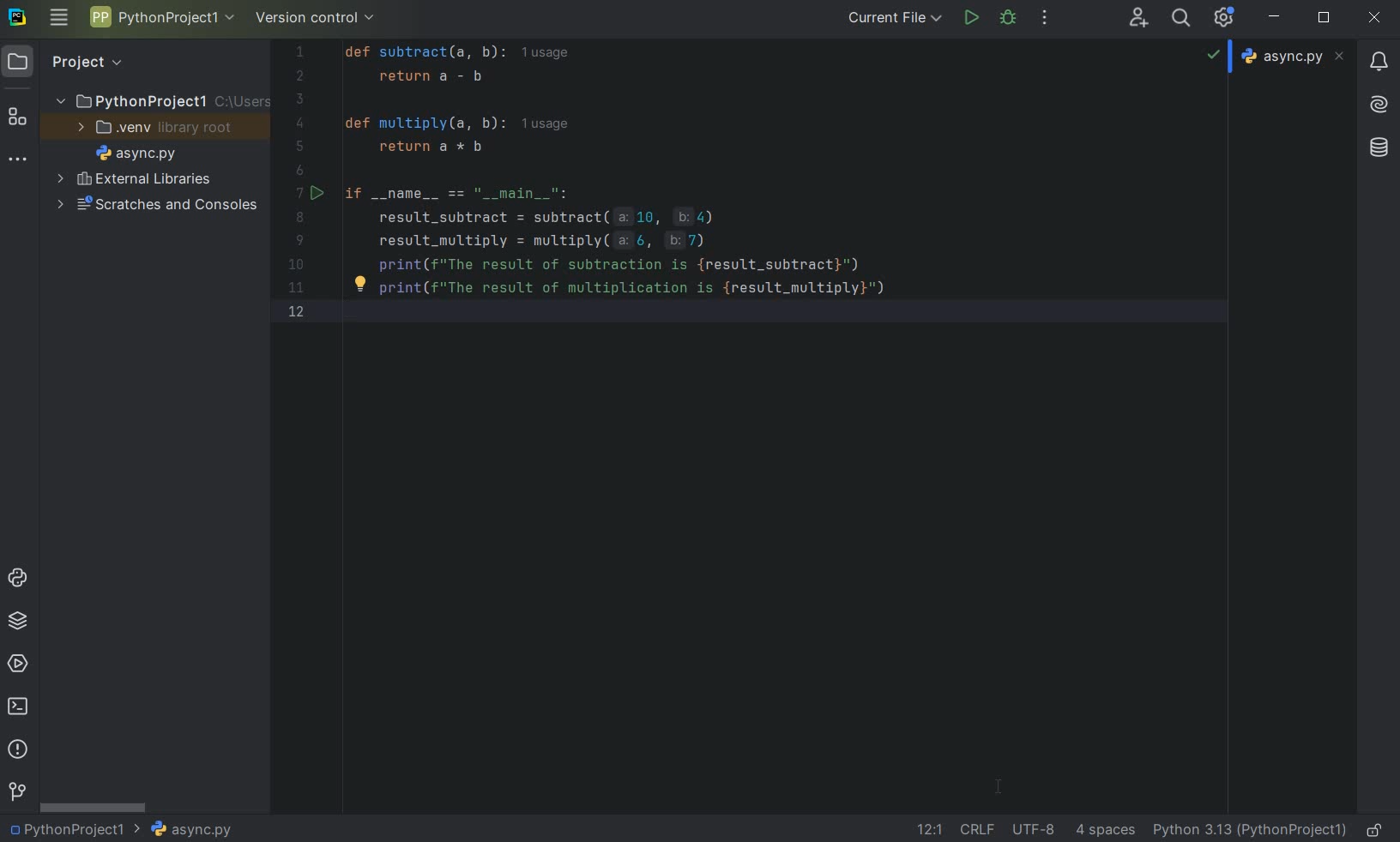  What do you see at coordinates (18, 120) in the screenshot?
I see `structure` at bounding box center [18, 120].